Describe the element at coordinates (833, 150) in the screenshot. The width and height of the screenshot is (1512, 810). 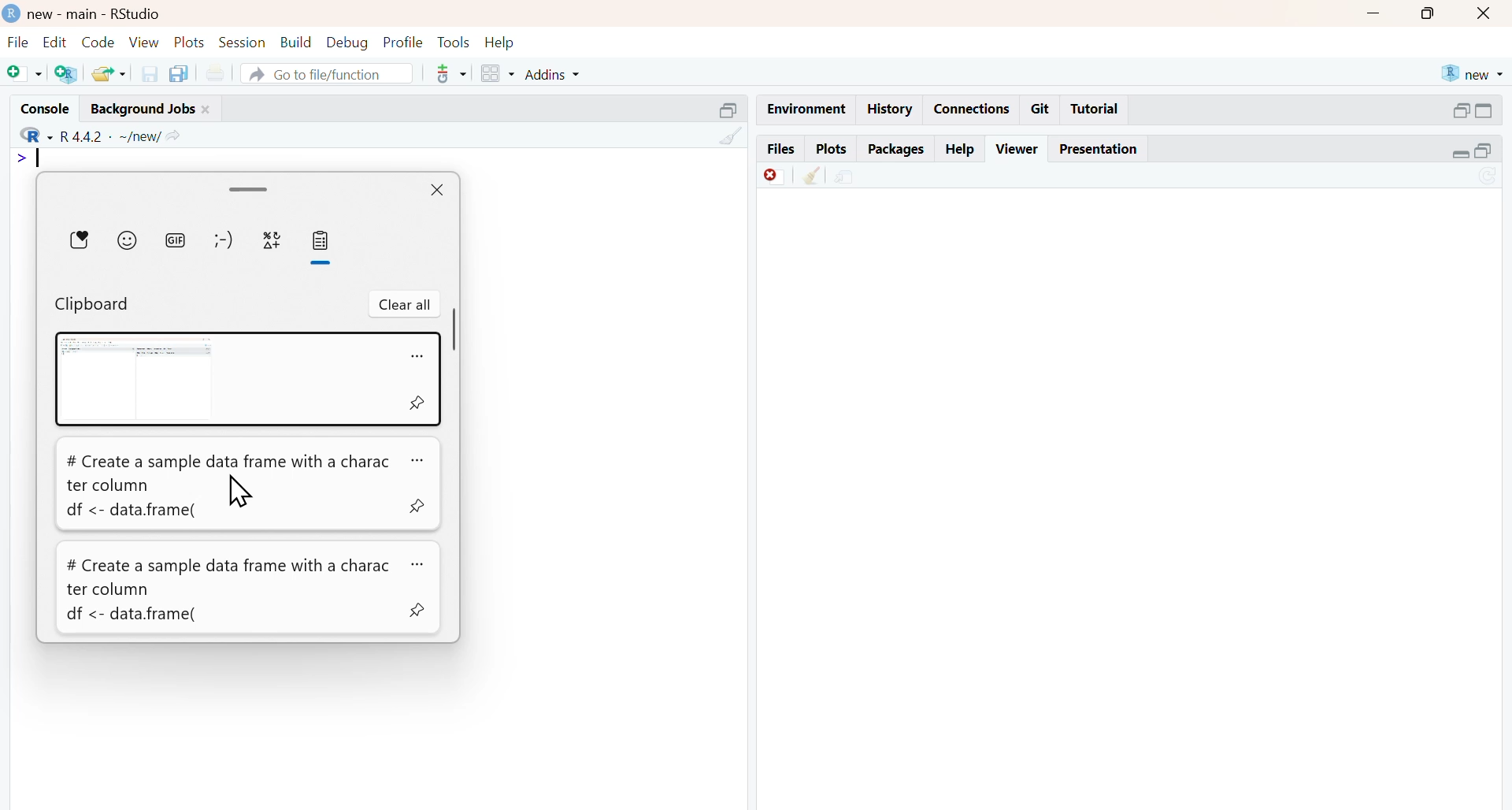
I see `plots` at that location.